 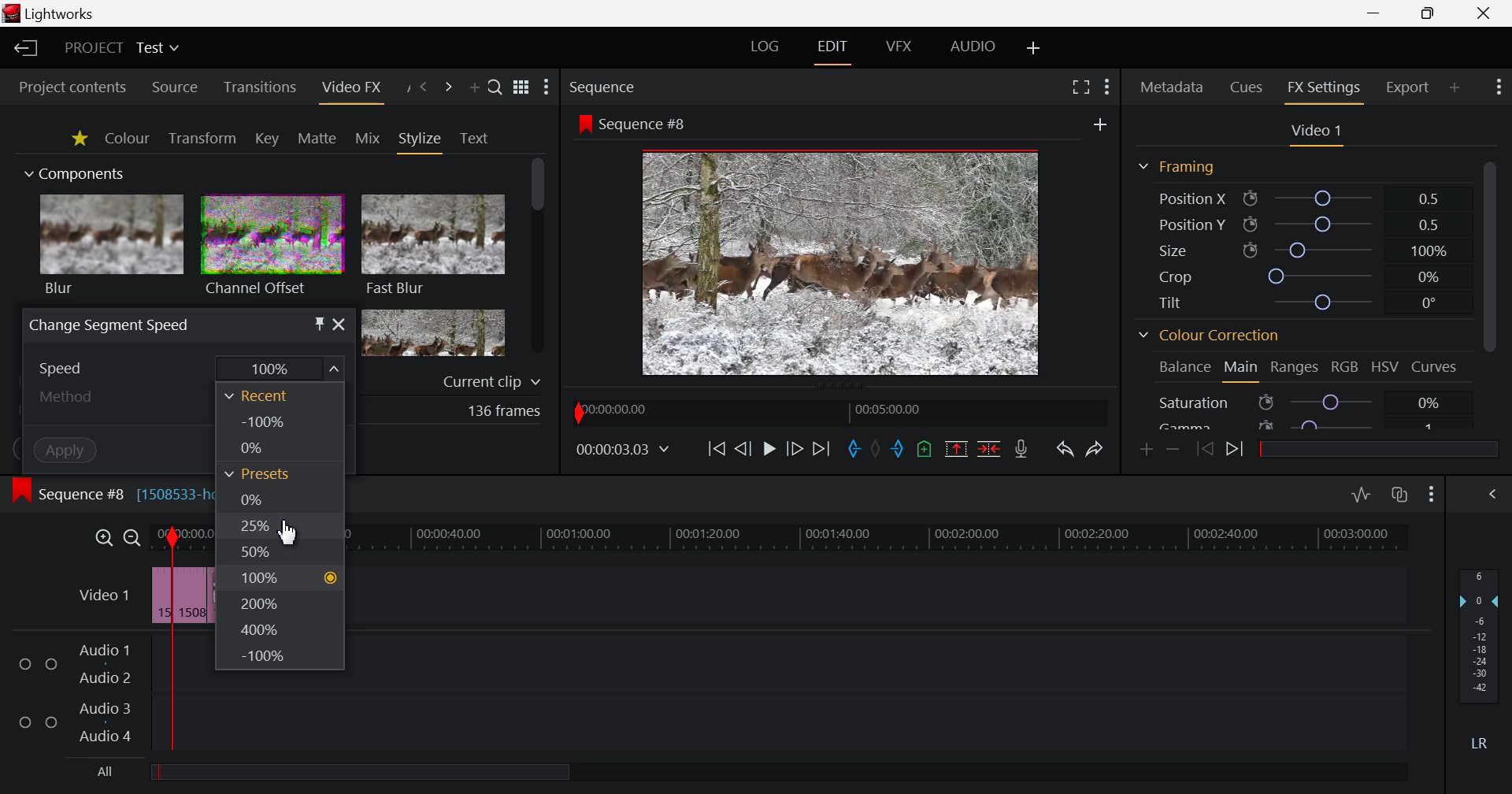 I want to click on Show Audio Mix, so click(x=1494, y=495).